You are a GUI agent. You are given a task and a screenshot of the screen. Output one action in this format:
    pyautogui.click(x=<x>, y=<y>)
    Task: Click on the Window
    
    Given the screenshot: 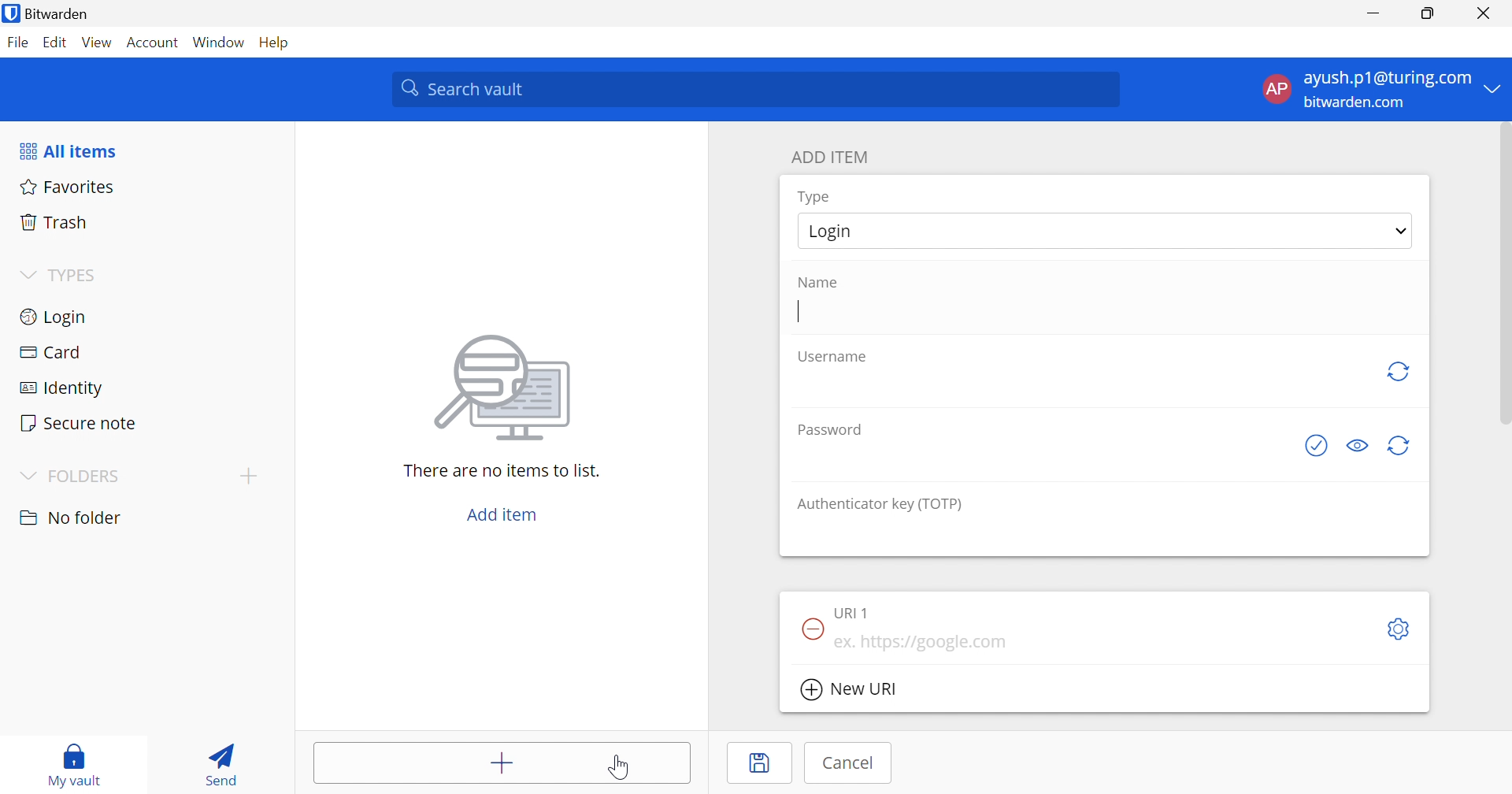 What is the action you would take?
    pyautogui.click(x=220, y=43)
    